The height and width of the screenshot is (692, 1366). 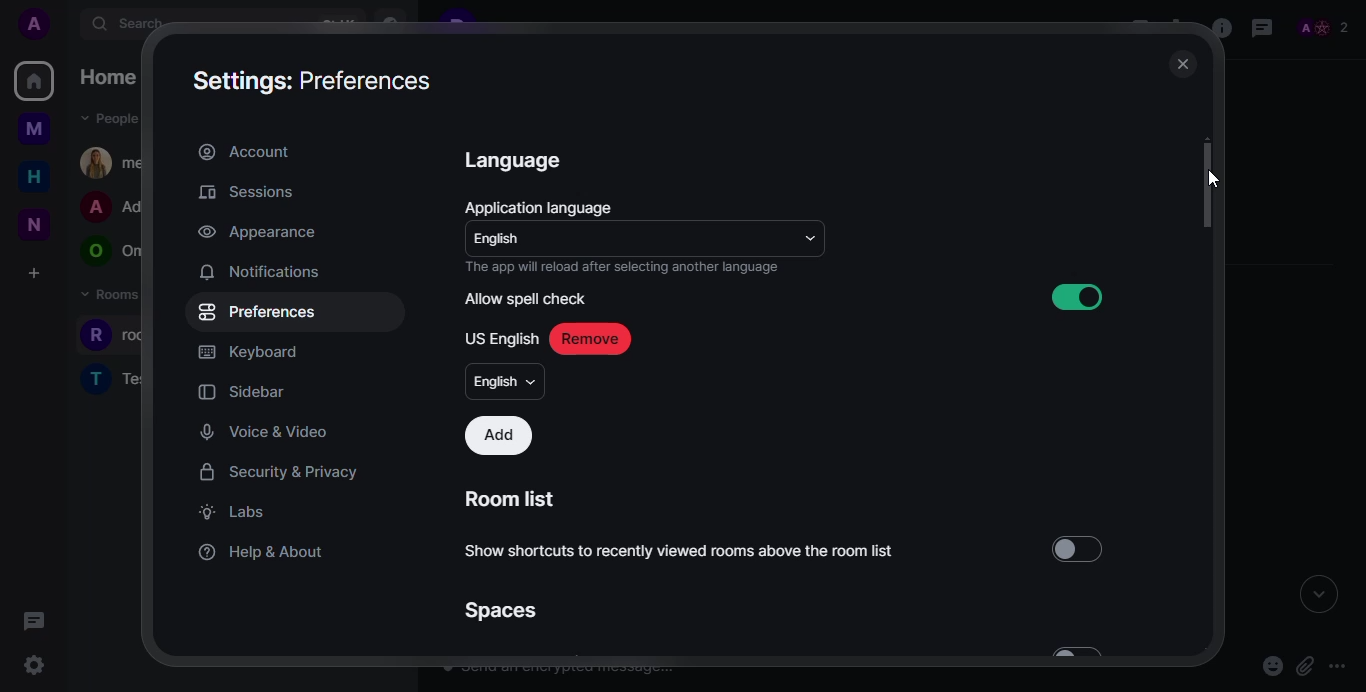 I want to click on cursor, so click(x=1212, y=181).